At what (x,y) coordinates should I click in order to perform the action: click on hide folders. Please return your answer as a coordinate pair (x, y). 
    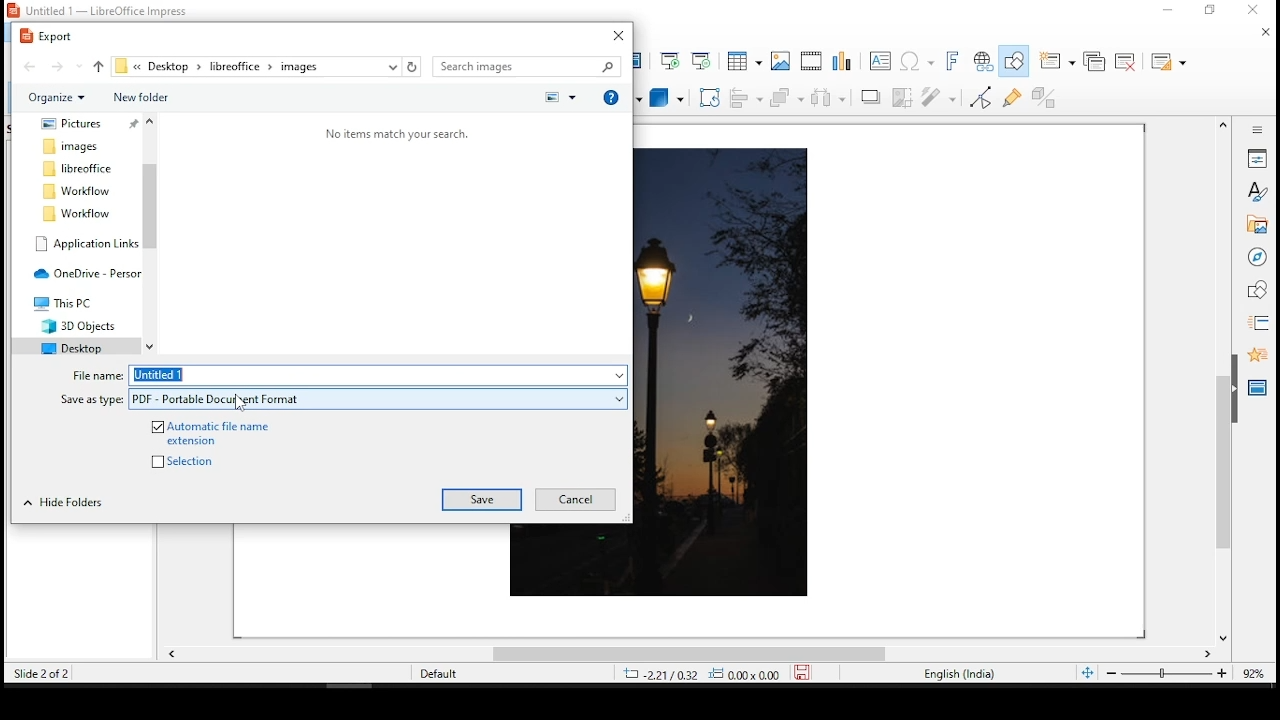
    Looking at the image, I should click on (63, 503).